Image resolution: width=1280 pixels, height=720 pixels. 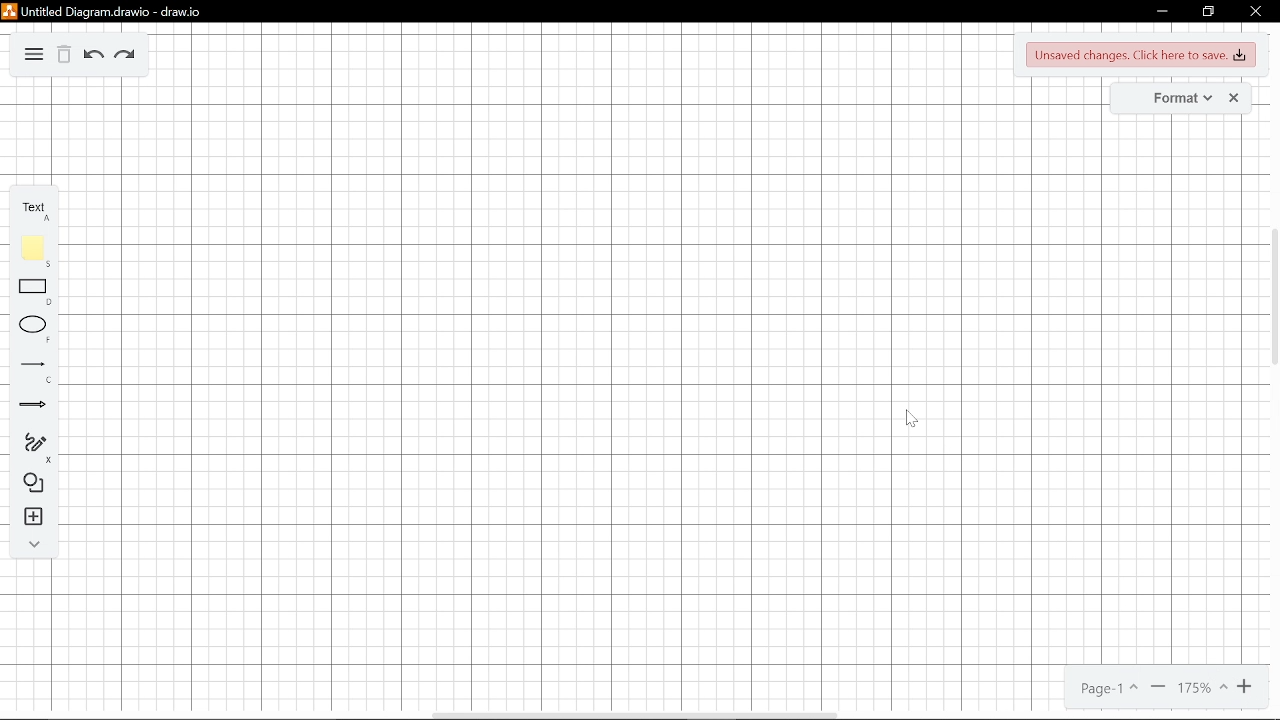 What do you see at coordinates (28, 292) in the screenshot?
I see `rectangle` at bounding box center [28, 292].